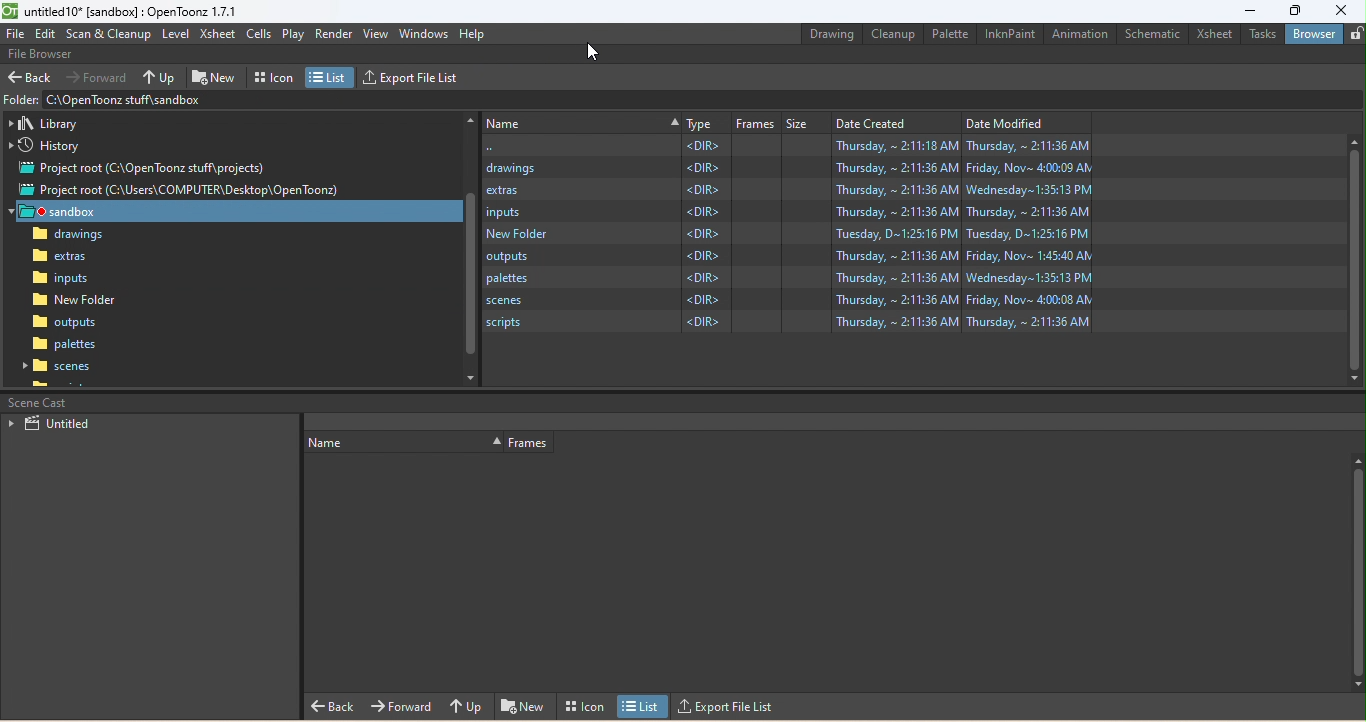 The width and height of the screenshot is (1366, 722). Describe the element at coordinates (1021, 124) in the screenshot. I see `Date modified` at that location.